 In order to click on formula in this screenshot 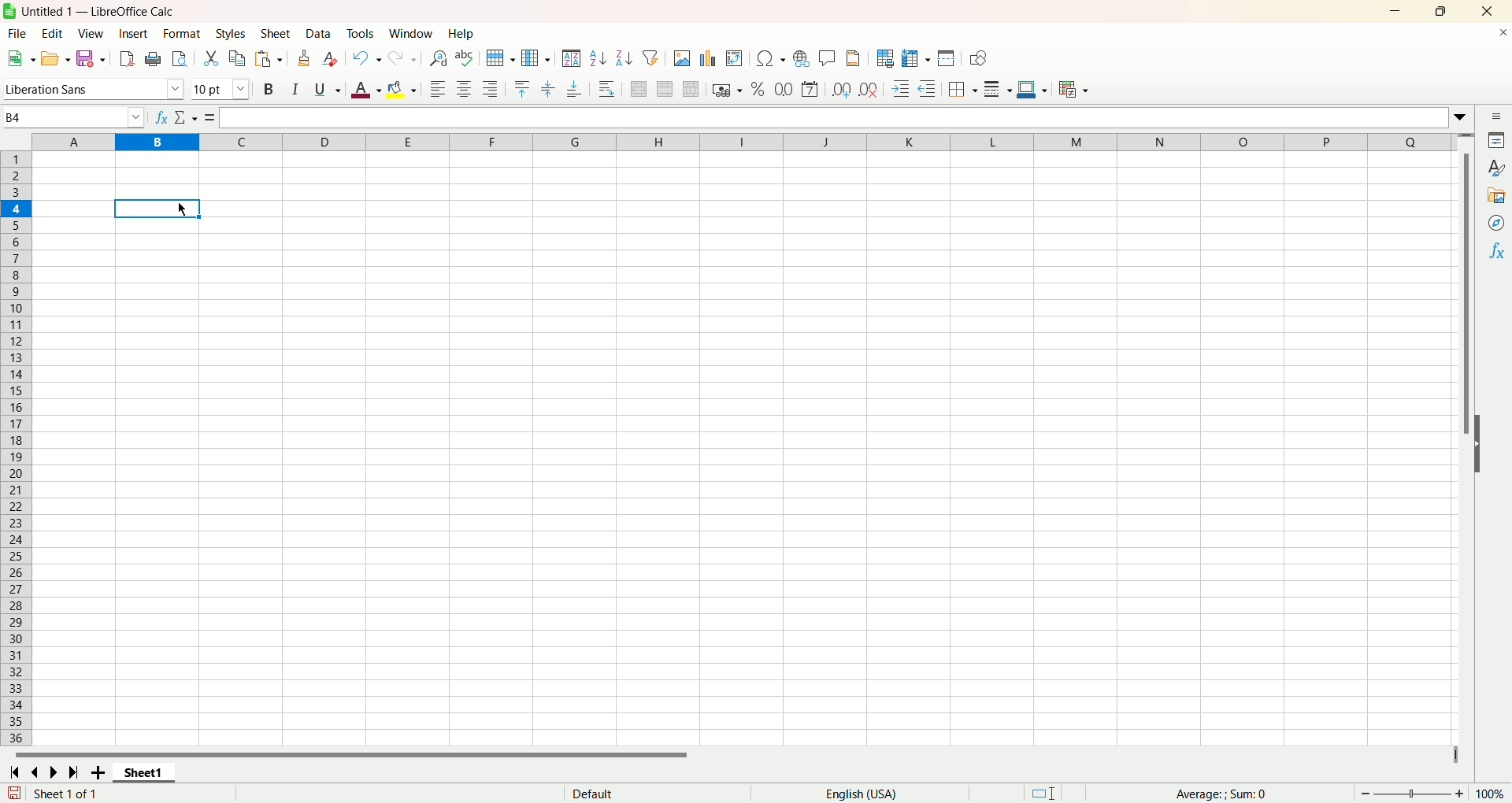, I will do `click(207, 117)`.